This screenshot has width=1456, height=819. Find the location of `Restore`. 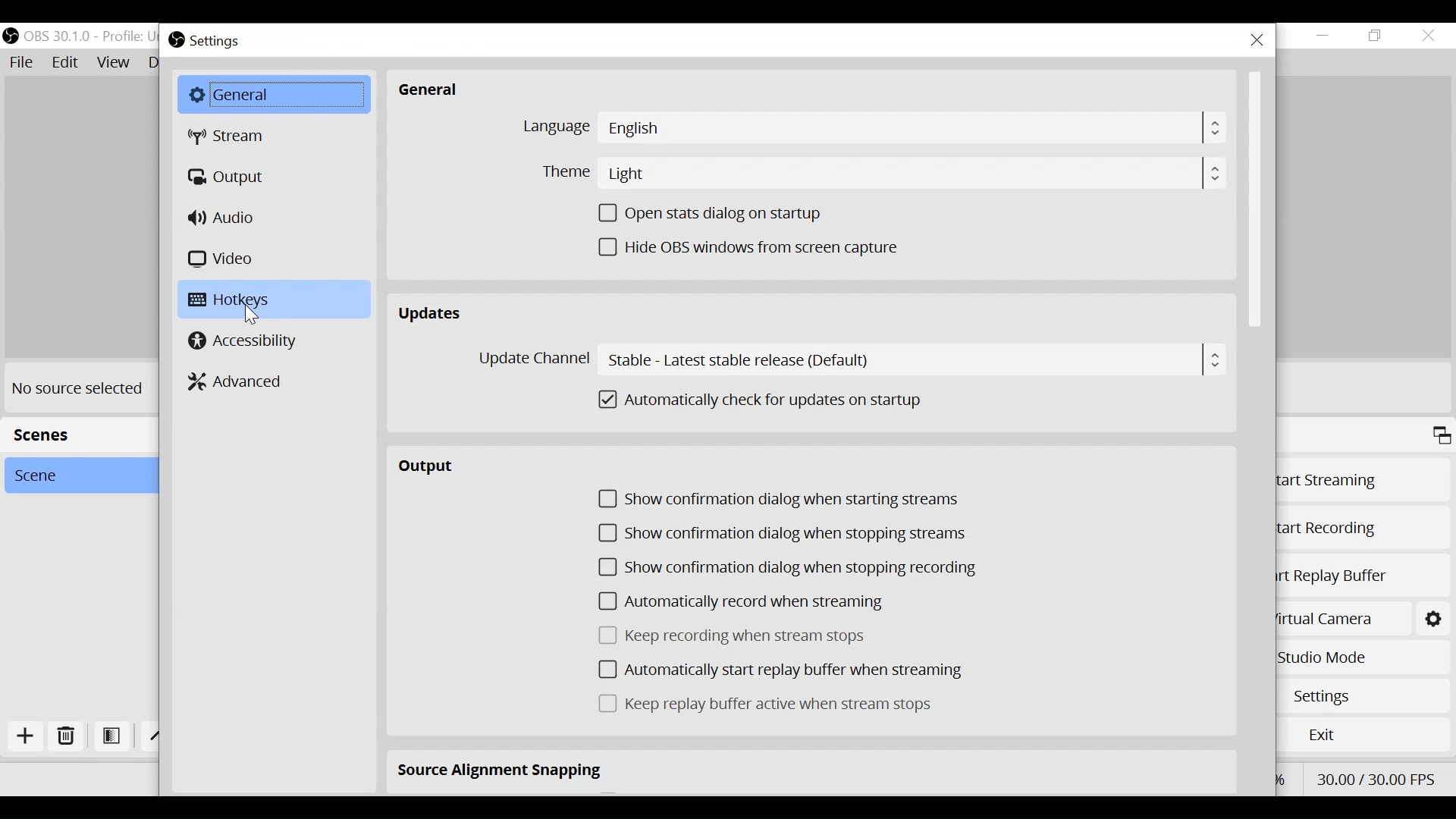

Restore is located at coordinates (1376, 36).